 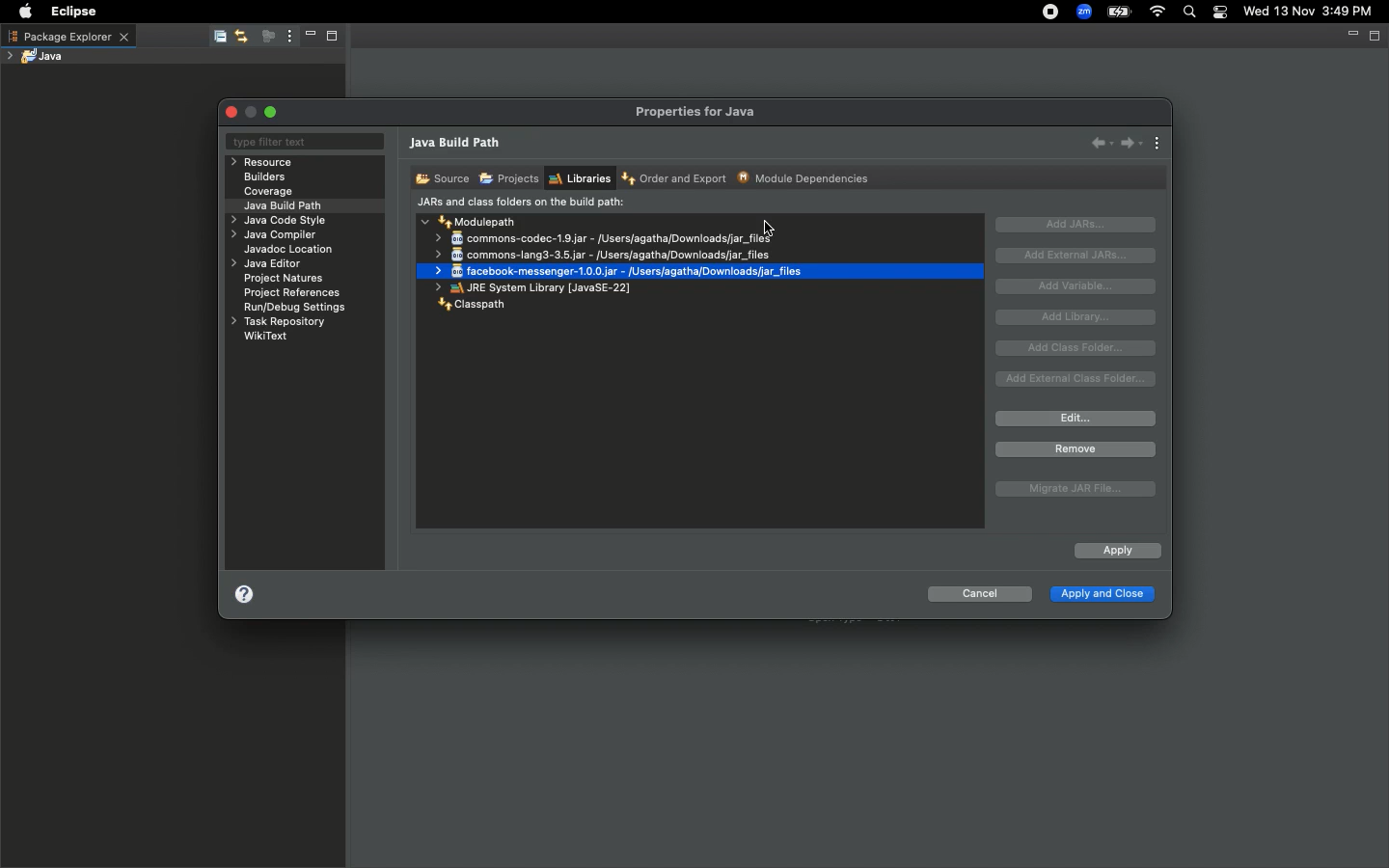 What do you see at coordinates (276, 222) in the screenshot?
I see `Java code style` at bounding box center [276, 222].